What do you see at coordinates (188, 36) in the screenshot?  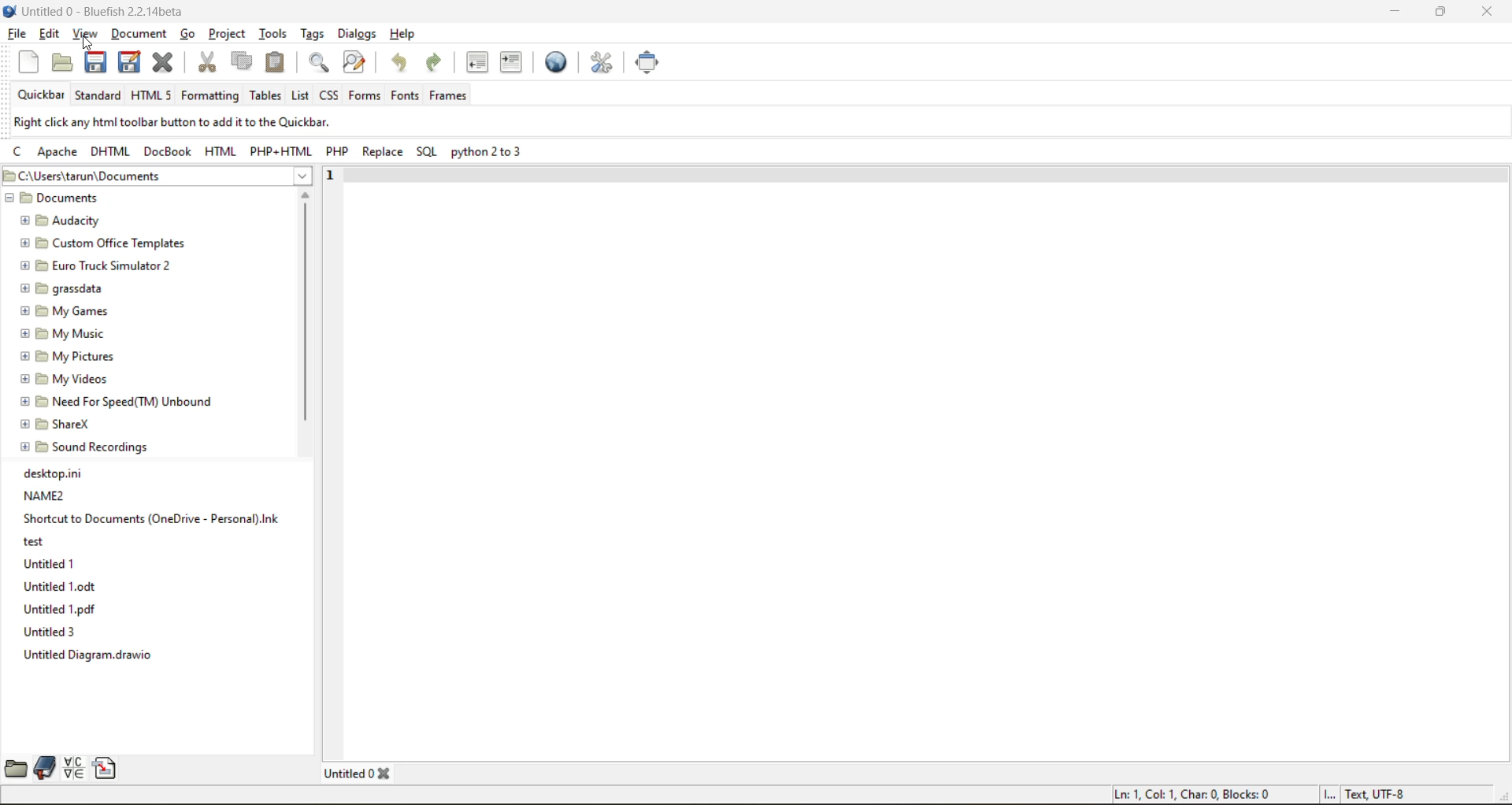 I see `go` at bounding box center [188, 36].